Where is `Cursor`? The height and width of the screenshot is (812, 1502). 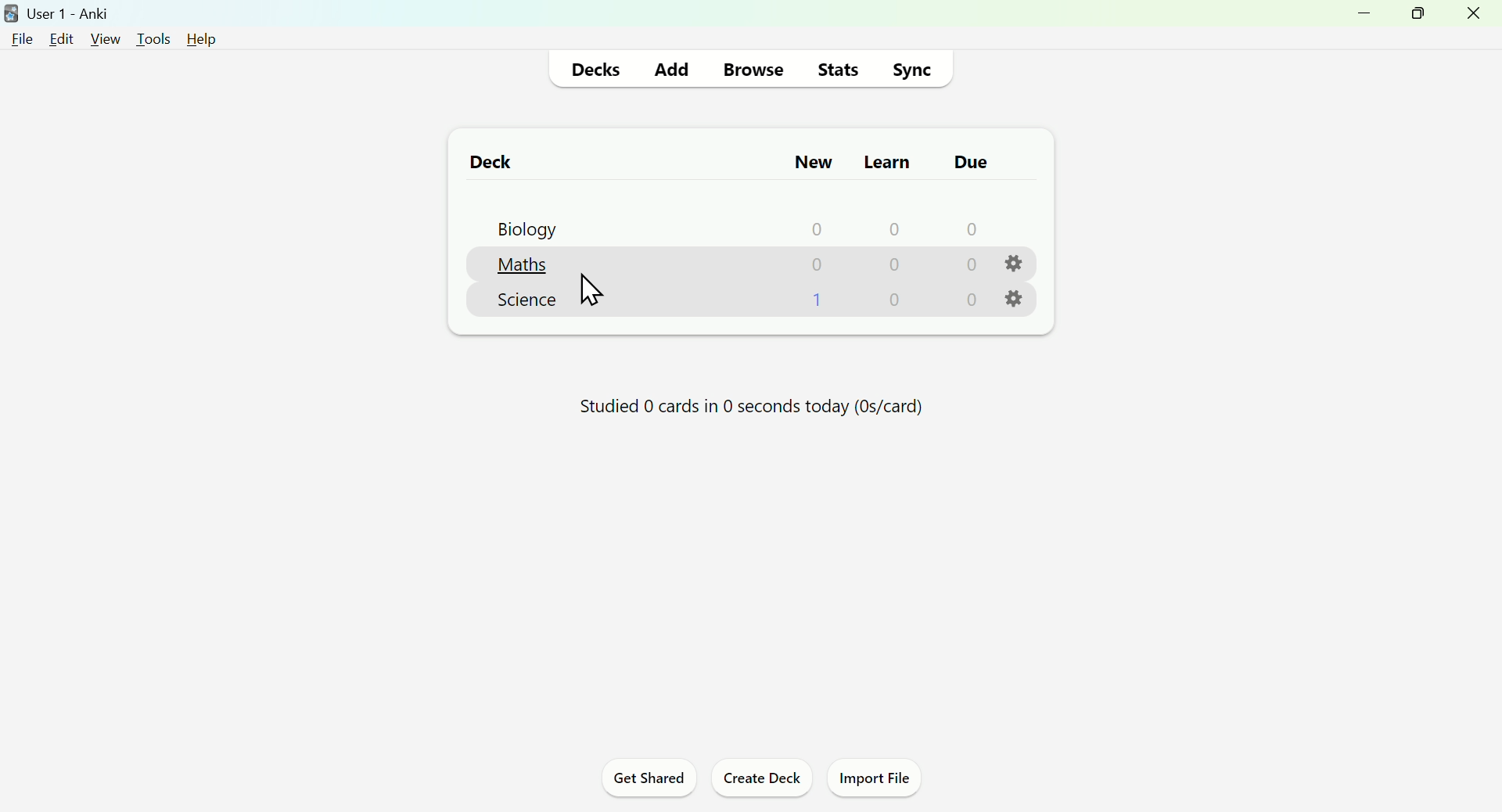
Cursor is located at coordinates (594, 289).